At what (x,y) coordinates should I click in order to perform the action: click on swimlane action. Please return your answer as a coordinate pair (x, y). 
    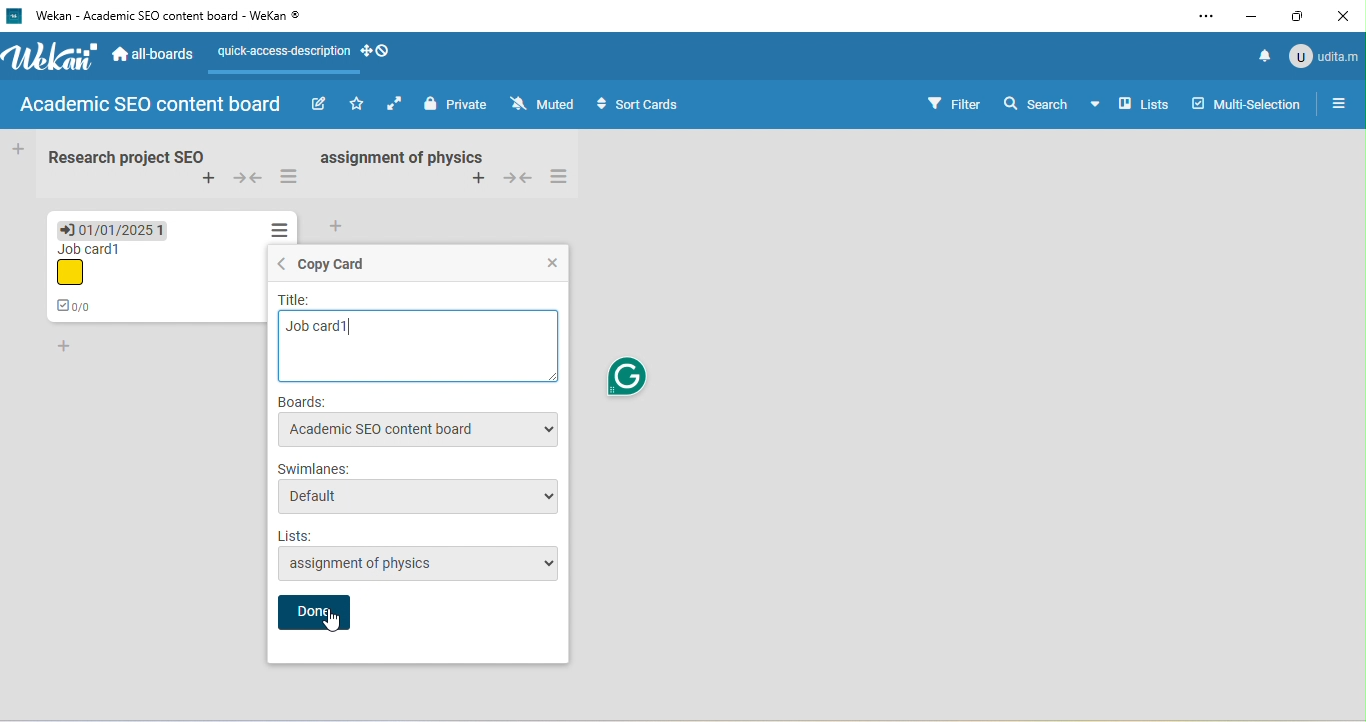
    Looking at the image, I should click on (290, 178).